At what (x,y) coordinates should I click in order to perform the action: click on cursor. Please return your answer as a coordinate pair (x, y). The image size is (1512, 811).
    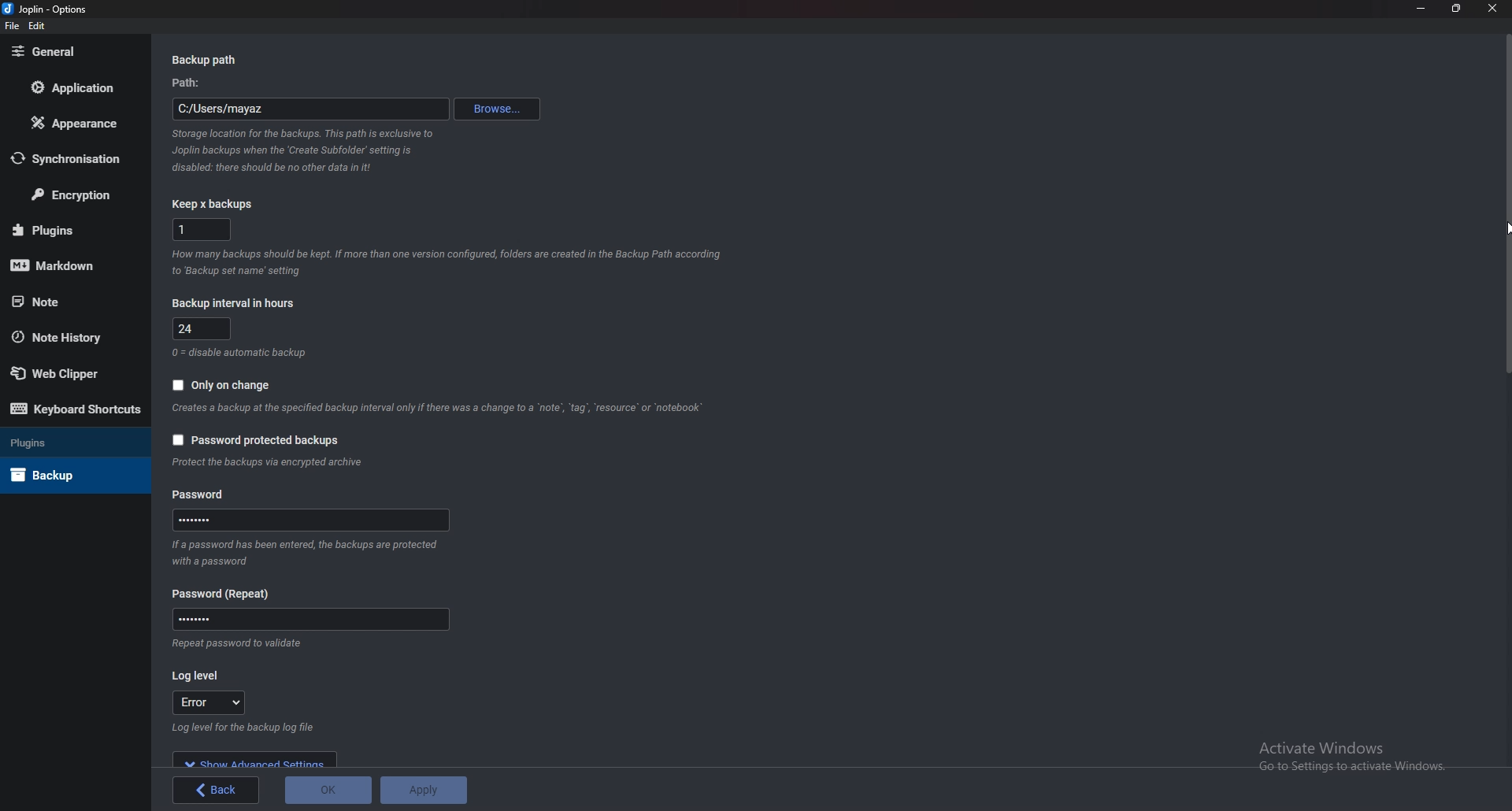
    Looking at the image, I should click on (1507, 225).